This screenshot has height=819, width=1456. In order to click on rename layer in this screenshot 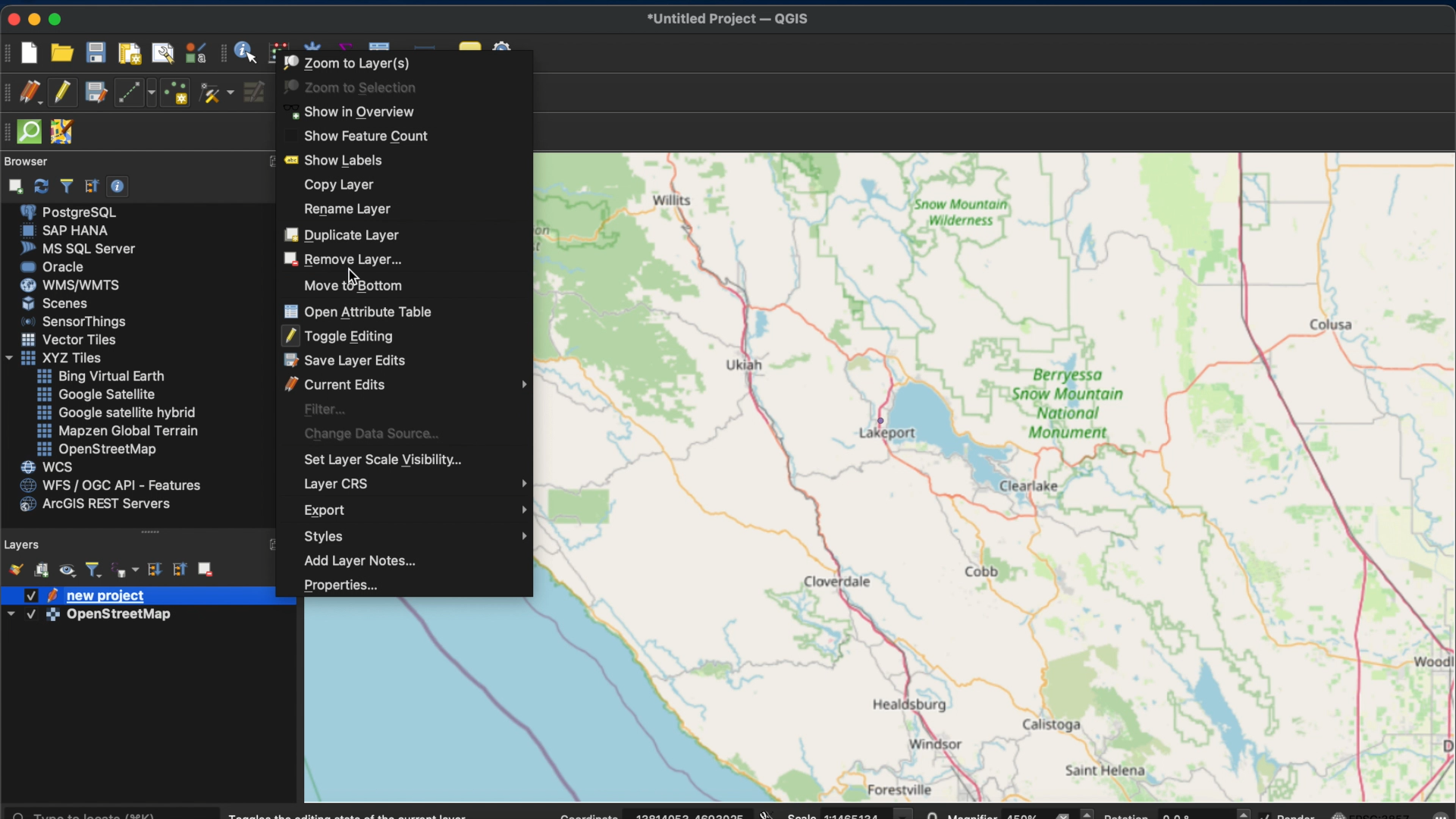, I will do `click(347, 209)`.